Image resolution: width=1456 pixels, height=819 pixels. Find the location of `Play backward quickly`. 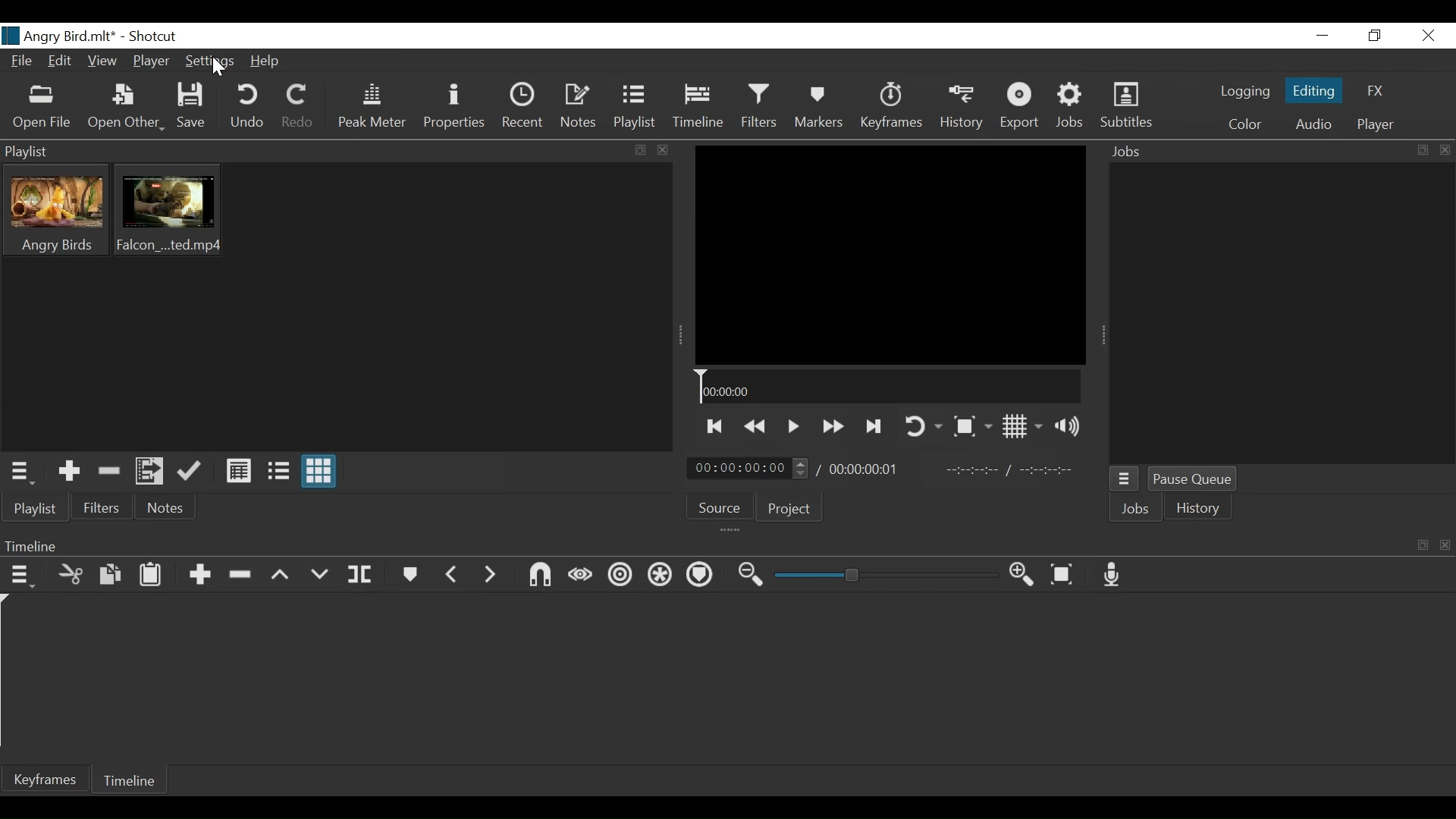

Play backward quickly is located at coordinates (756, 426).